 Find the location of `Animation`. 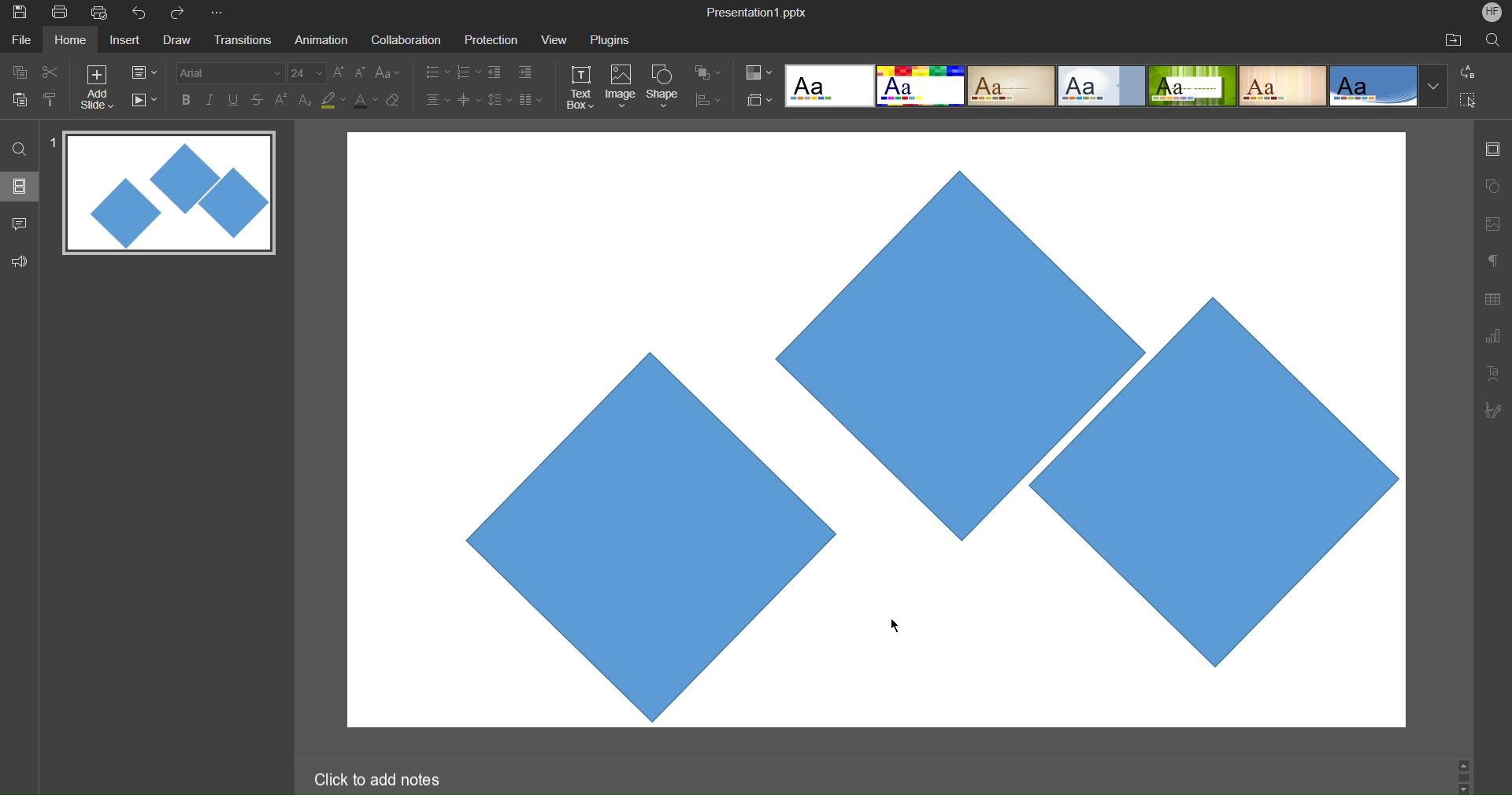

Animation is located at coordinates (320, 39).